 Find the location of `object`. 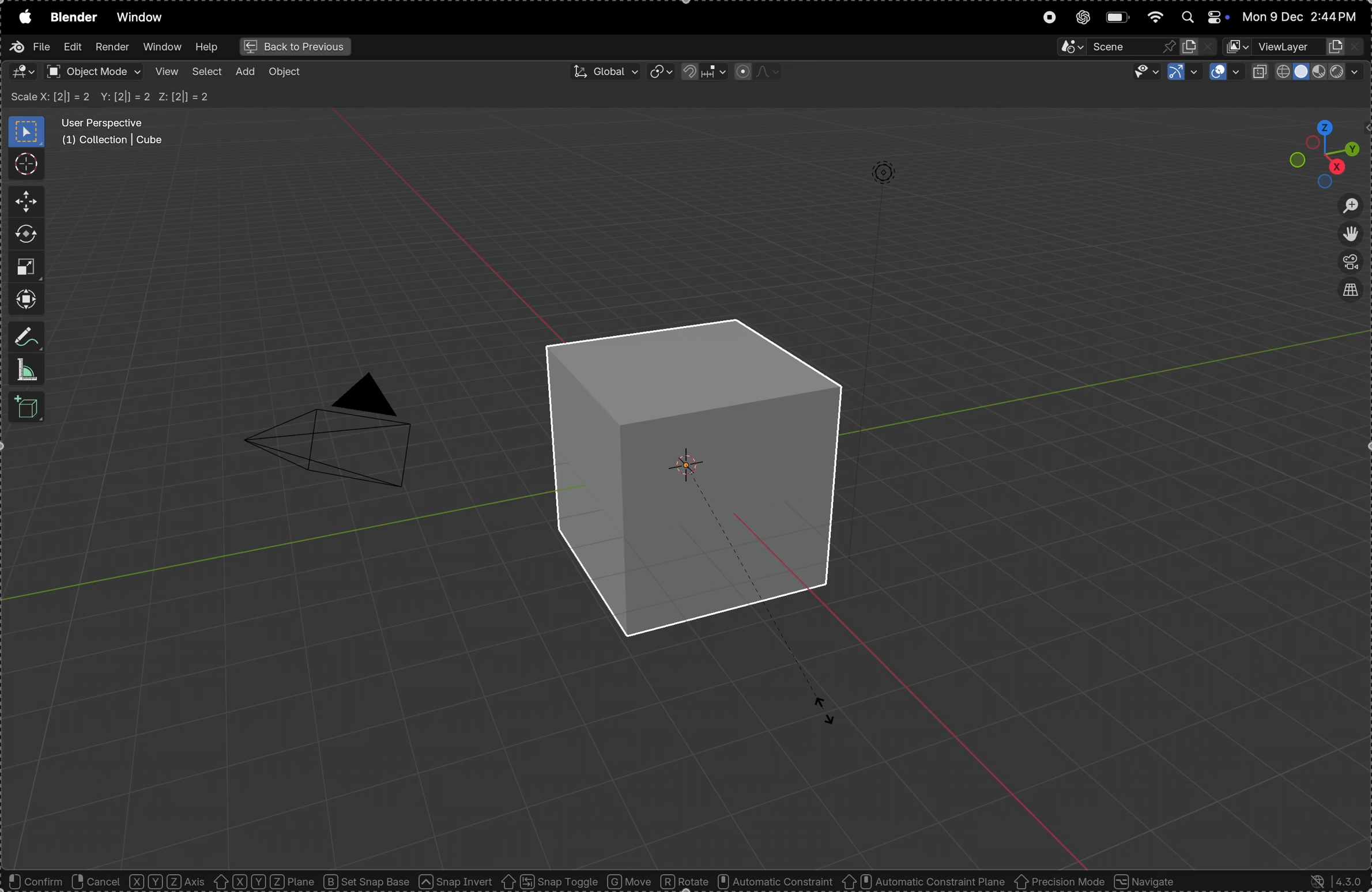

object is located at coordinates (288, 73).